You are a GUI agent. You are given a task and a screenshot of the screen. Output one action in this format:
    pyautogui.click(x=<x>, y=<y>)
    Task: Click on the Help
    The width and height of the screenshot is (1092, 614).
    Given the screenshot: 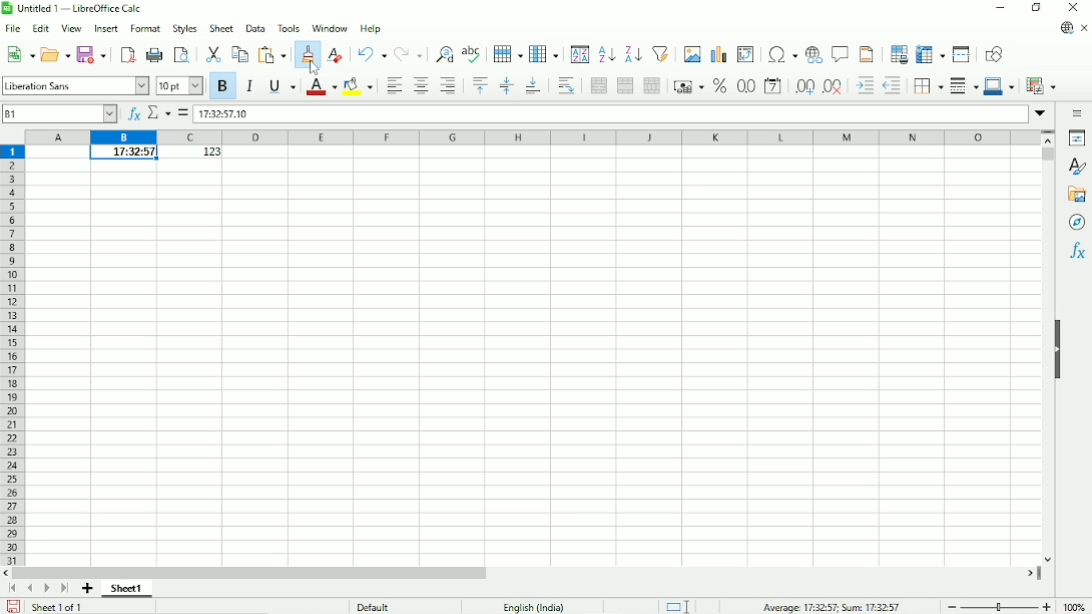 What is the action you would take?
    pyautogui.click(x=370, y=28)
    